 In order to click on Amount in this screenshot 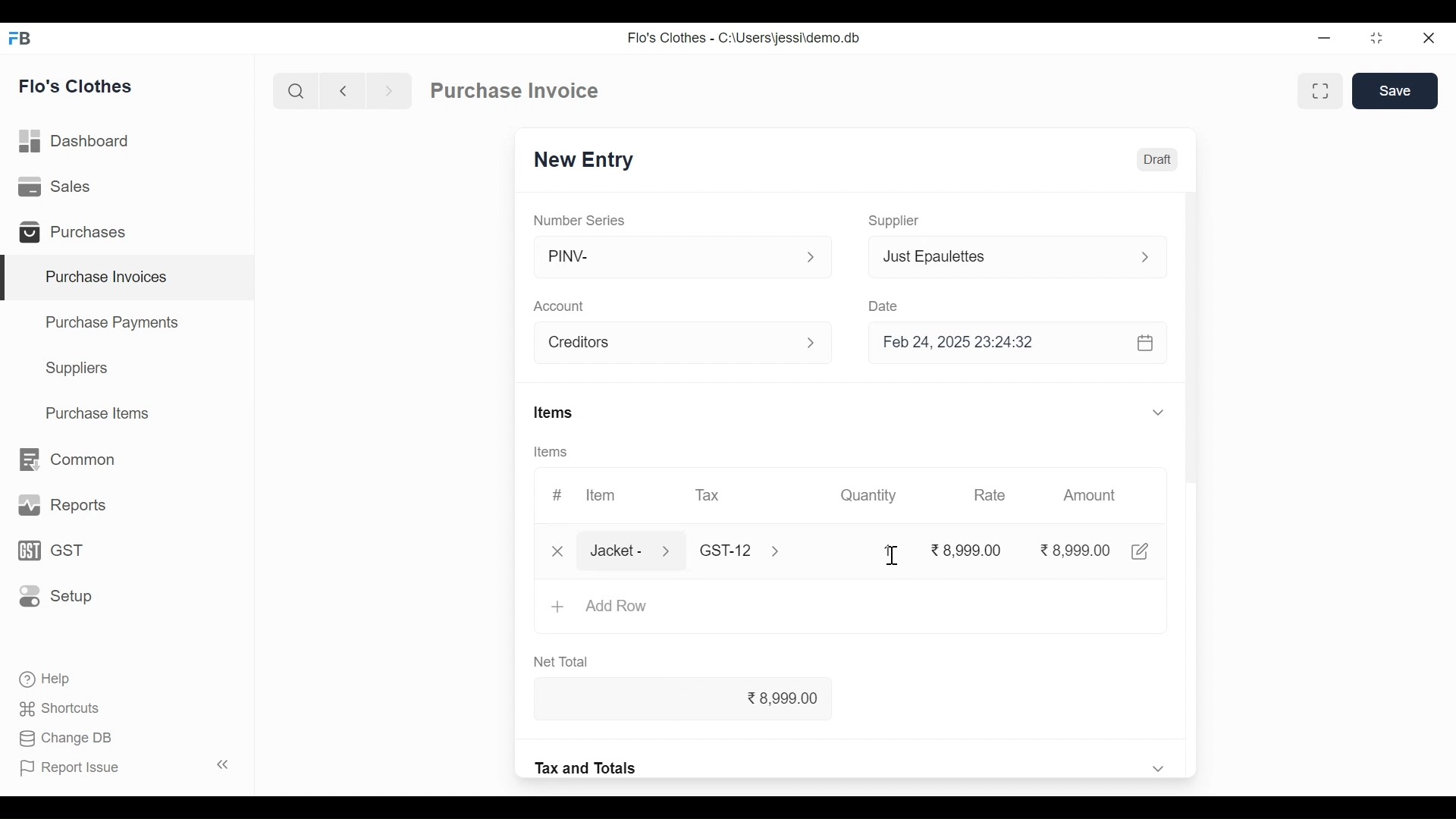, I will do `click(1090, 495)`.